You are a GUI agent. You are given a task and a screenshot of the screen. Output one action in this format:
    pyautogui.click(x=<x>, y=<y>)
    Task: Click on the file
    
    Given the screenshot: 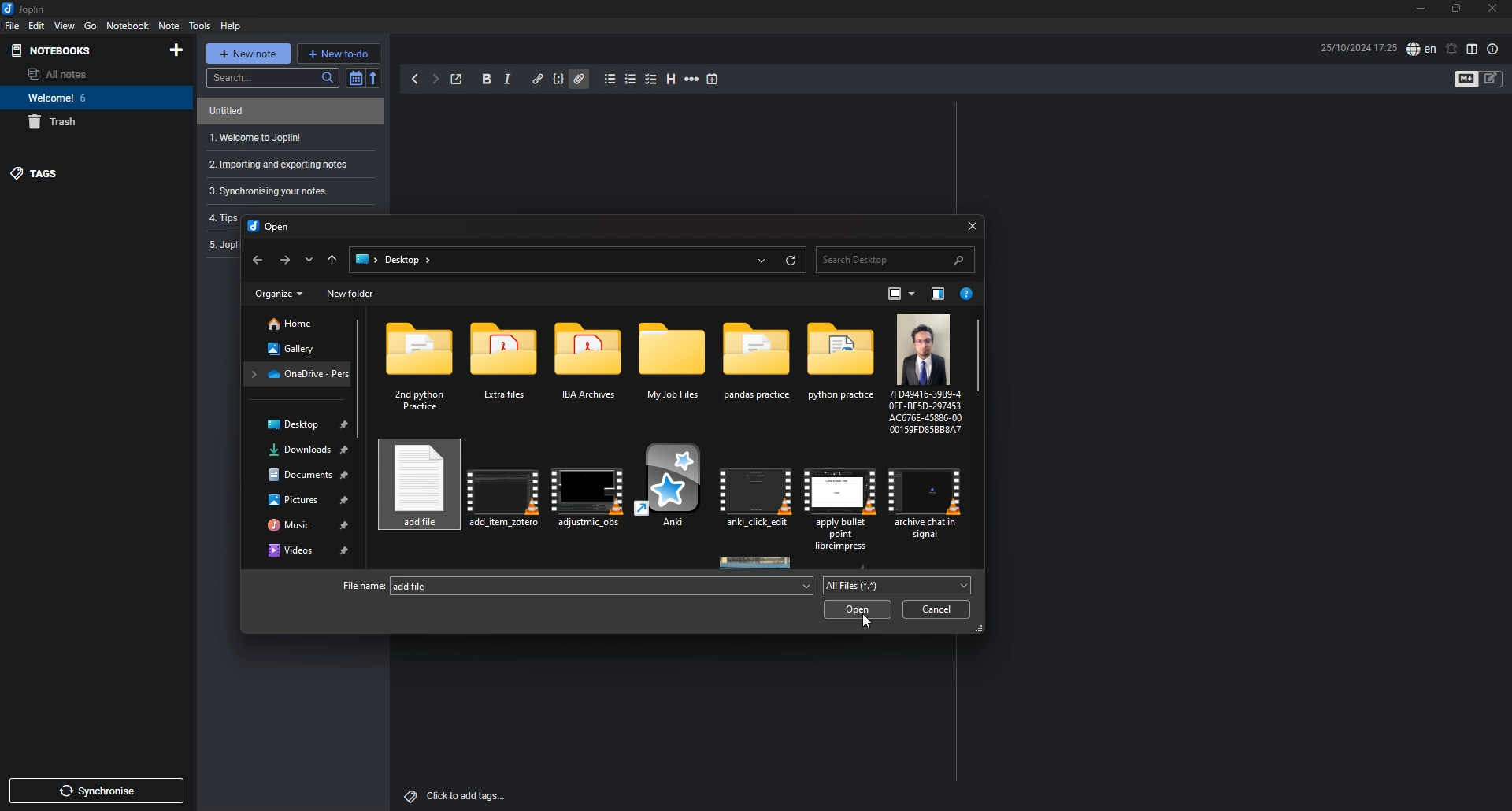 What is the action you would take?
    pyautogui.click(x=416, y=487)
    